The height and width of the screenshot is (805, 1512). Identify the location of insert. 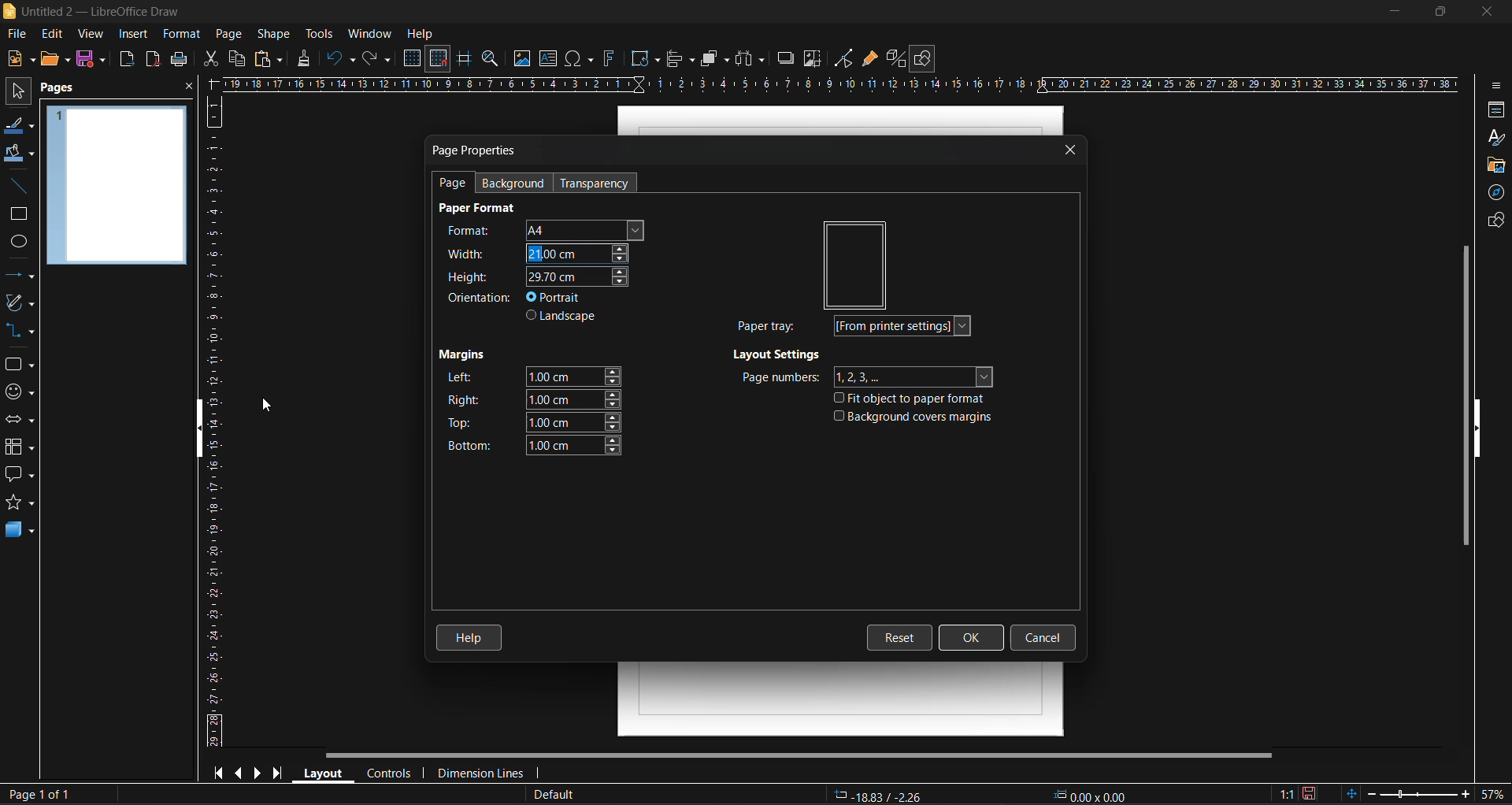
(135, 32).